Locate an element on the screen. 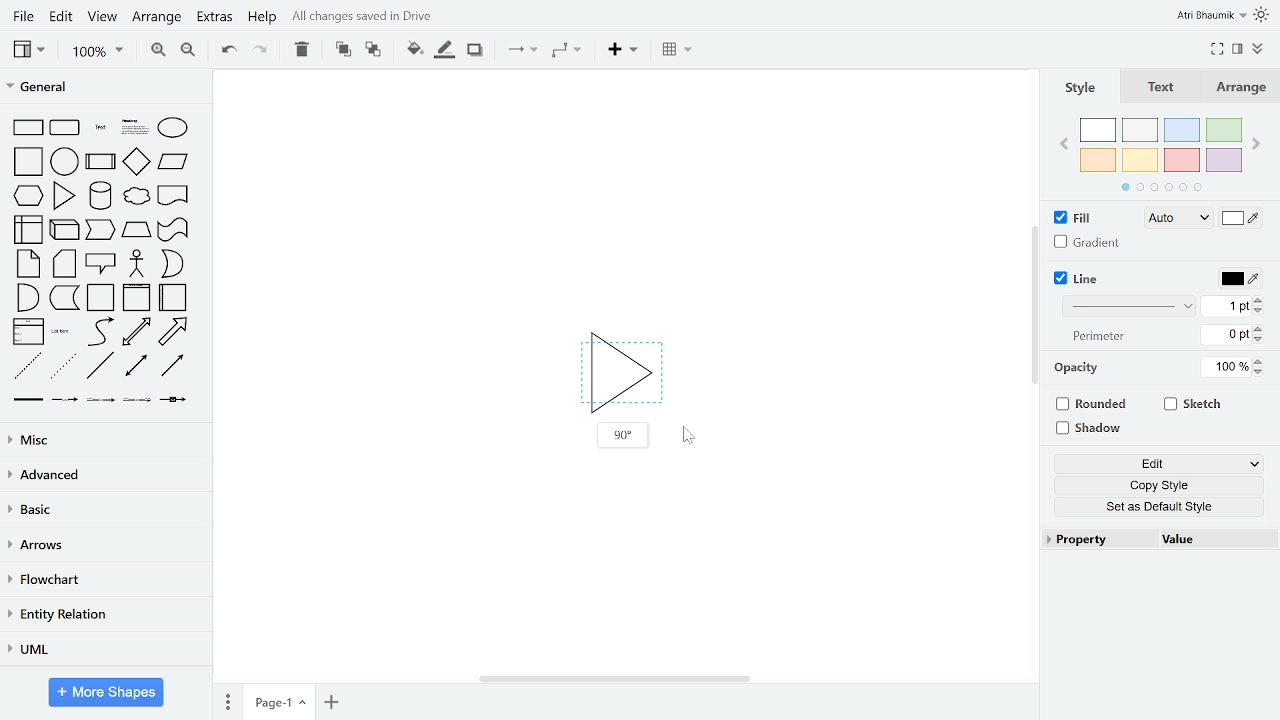  to front is located at coordinates (341, 49).